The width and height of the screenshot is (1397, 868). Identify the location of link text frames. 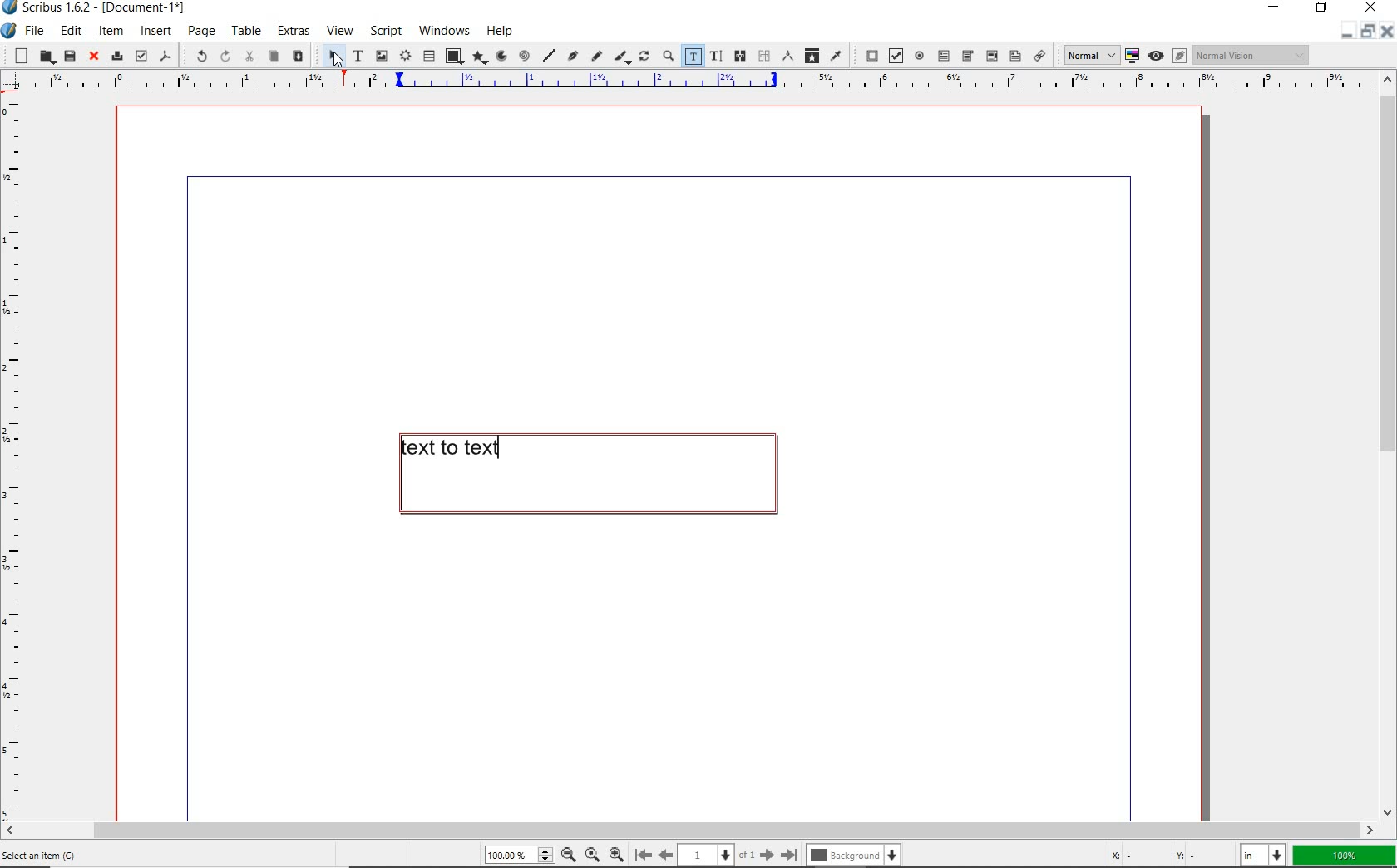
(738, 56).